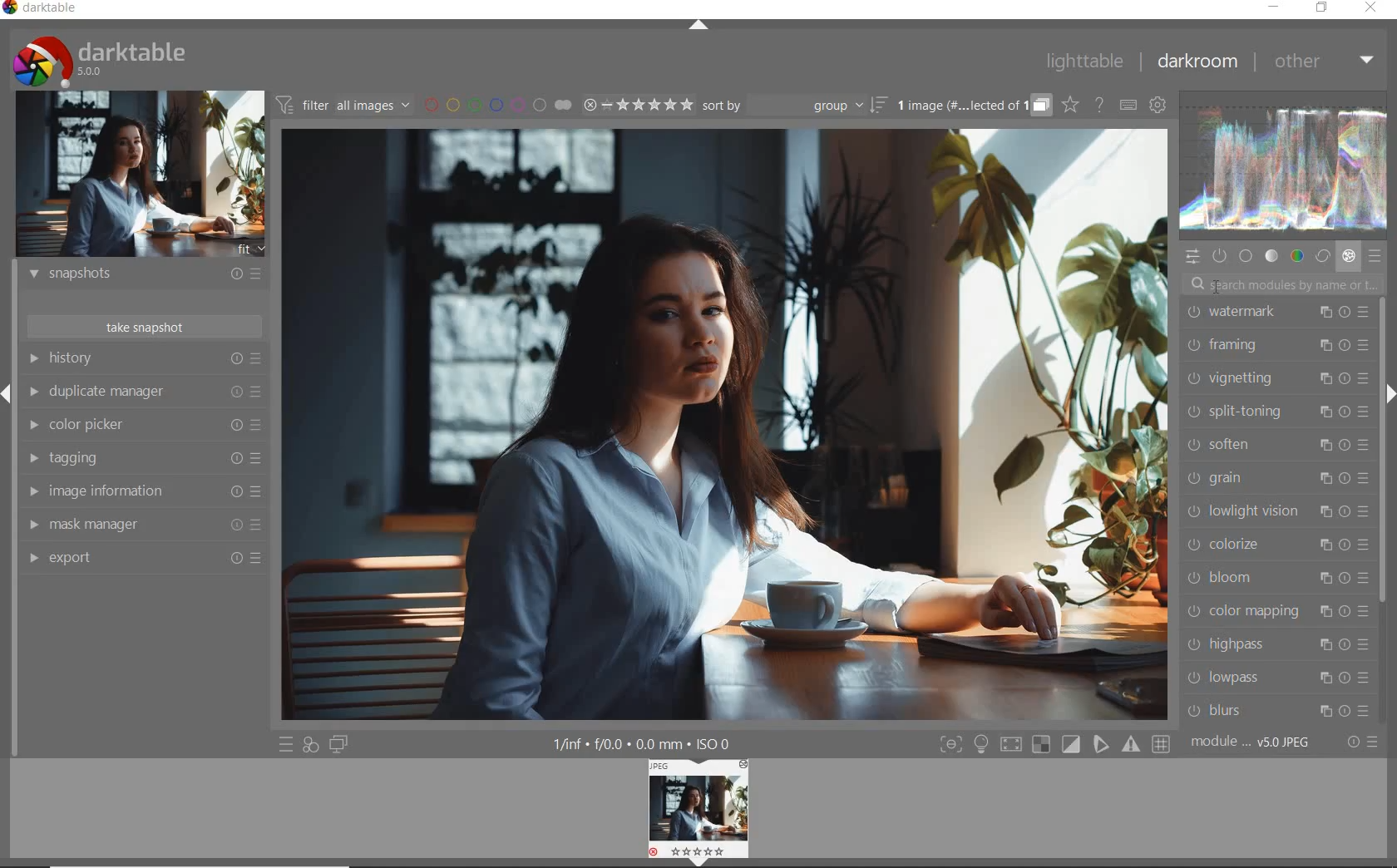  Describe the element at coordinates (637, 106) in the screenshot. I see `range ratings for selected images` at that location.